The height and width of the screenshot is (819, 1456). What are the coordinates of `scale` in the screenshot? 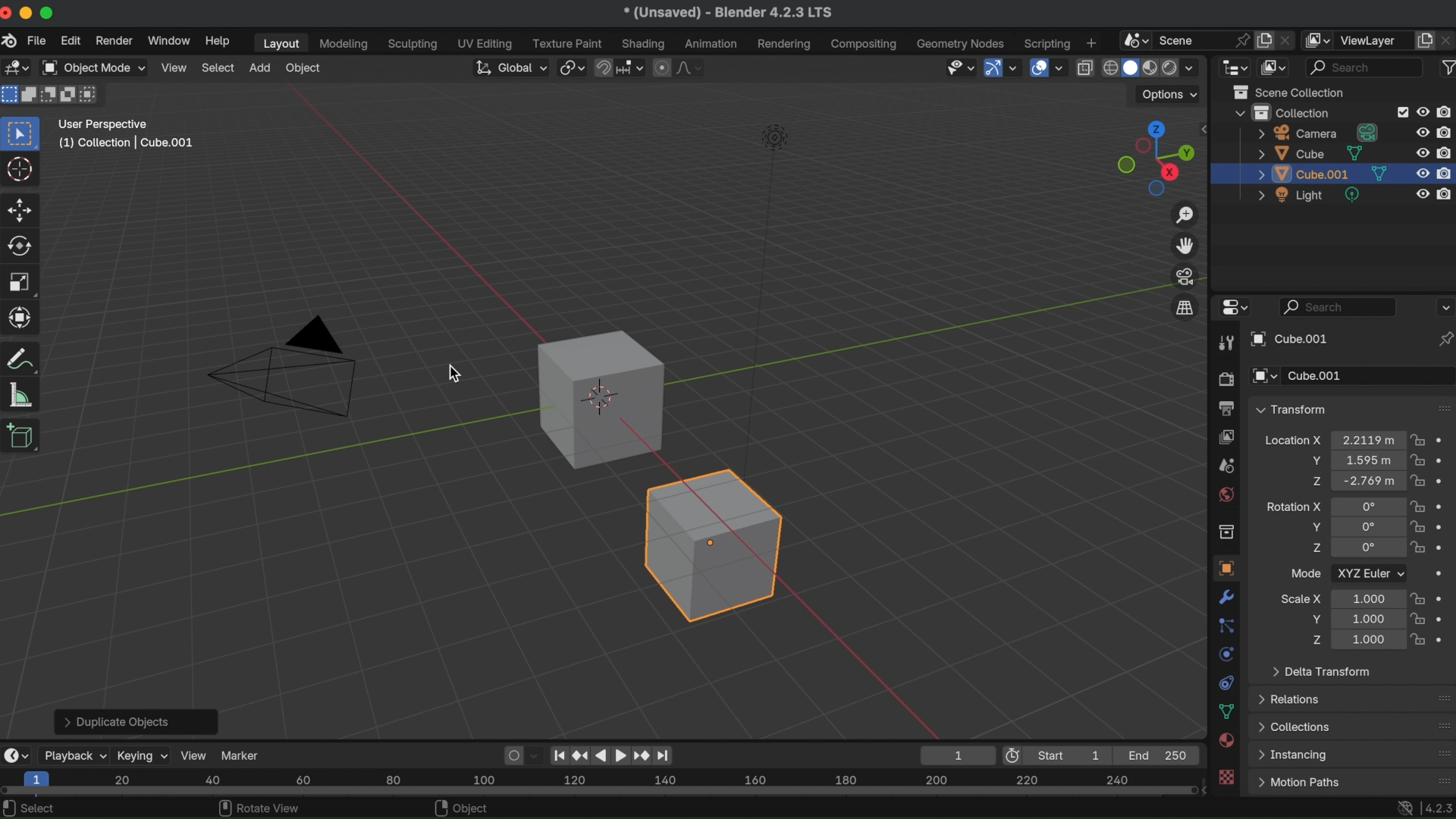 It's located at (21, 282).